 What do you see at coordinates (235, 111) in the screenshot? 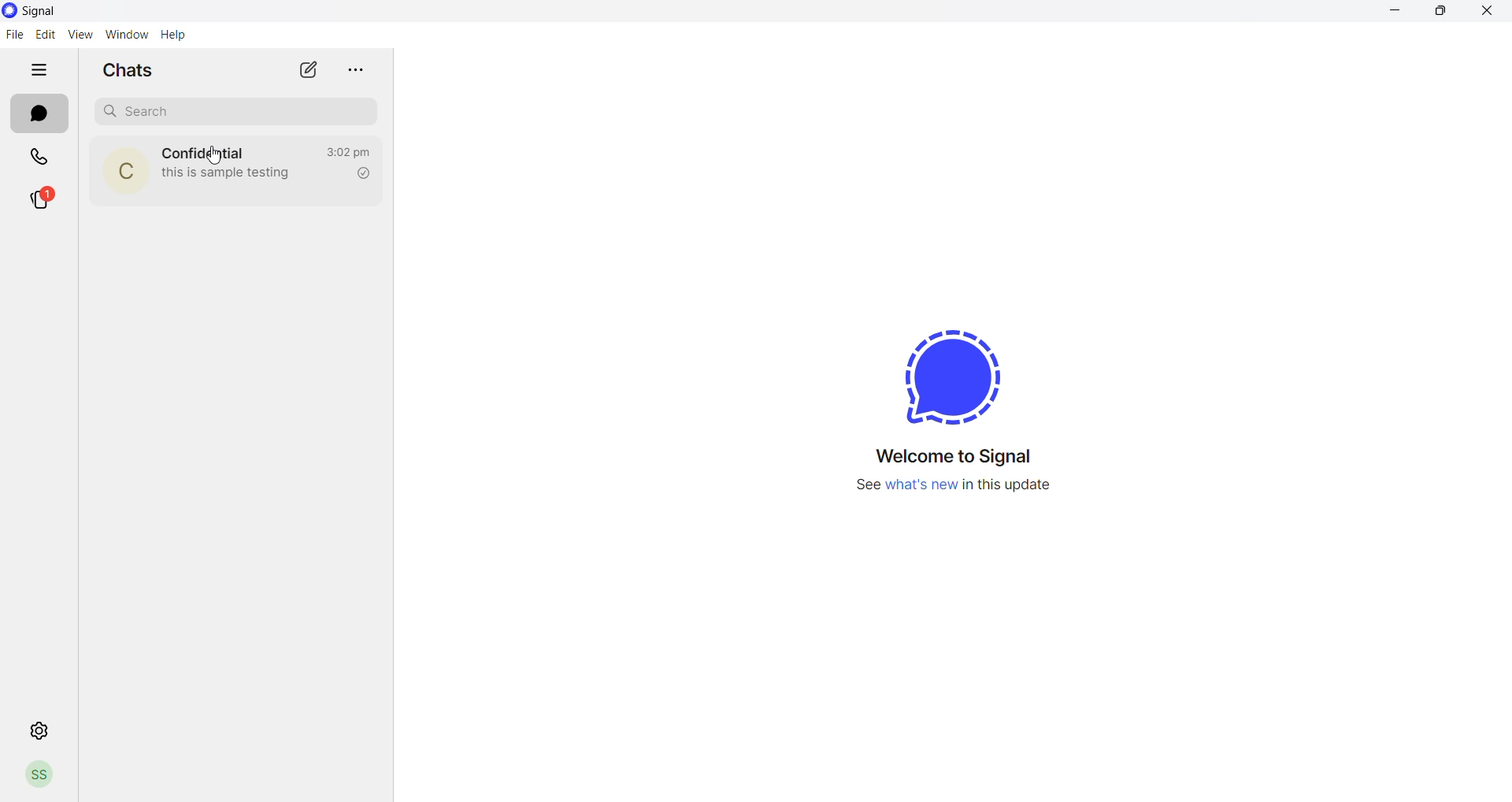
I see `search chats` at bounding box center [235, 111].